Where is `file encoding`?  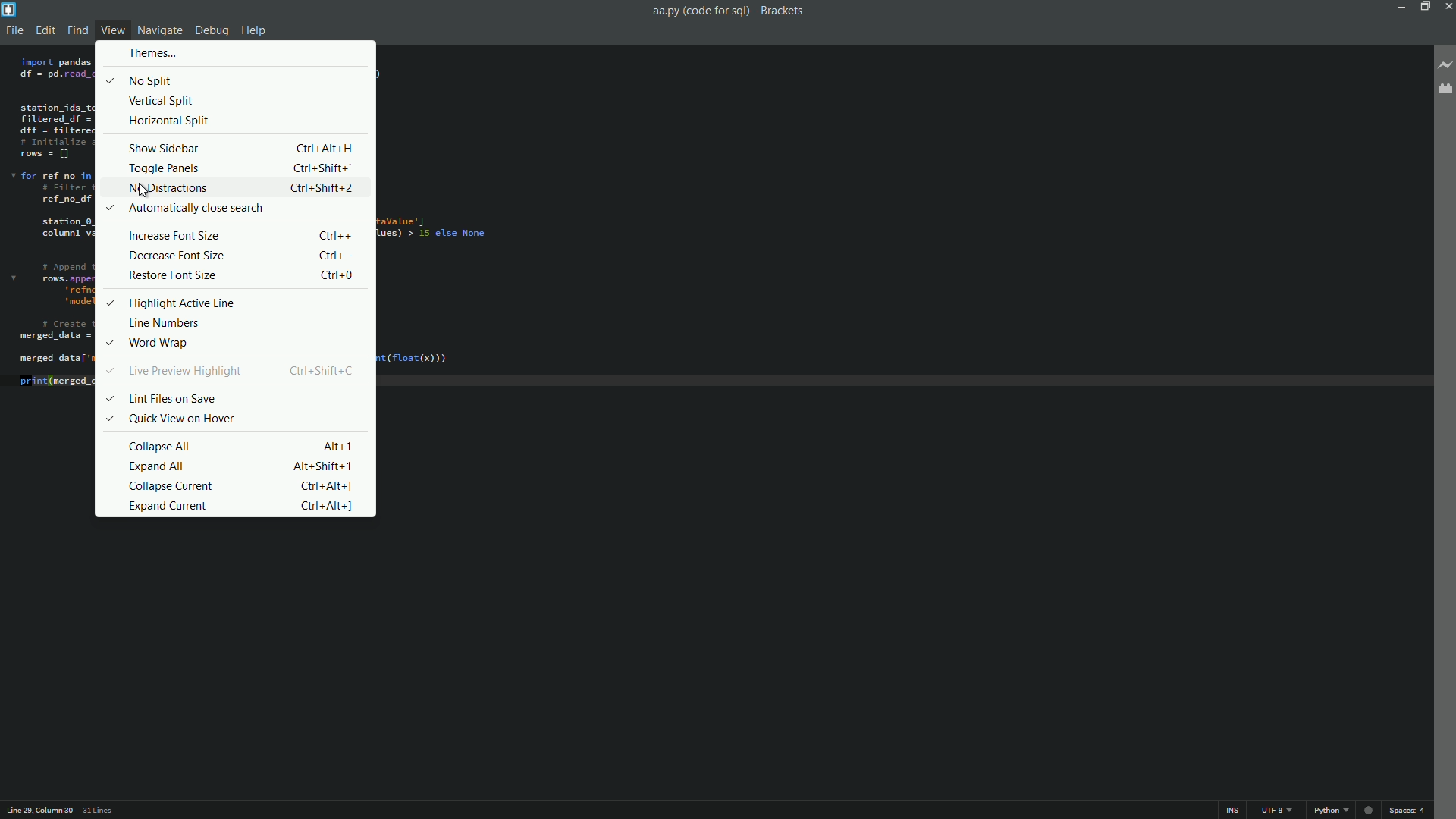 file encoding is located at coordinates (1278, 811).